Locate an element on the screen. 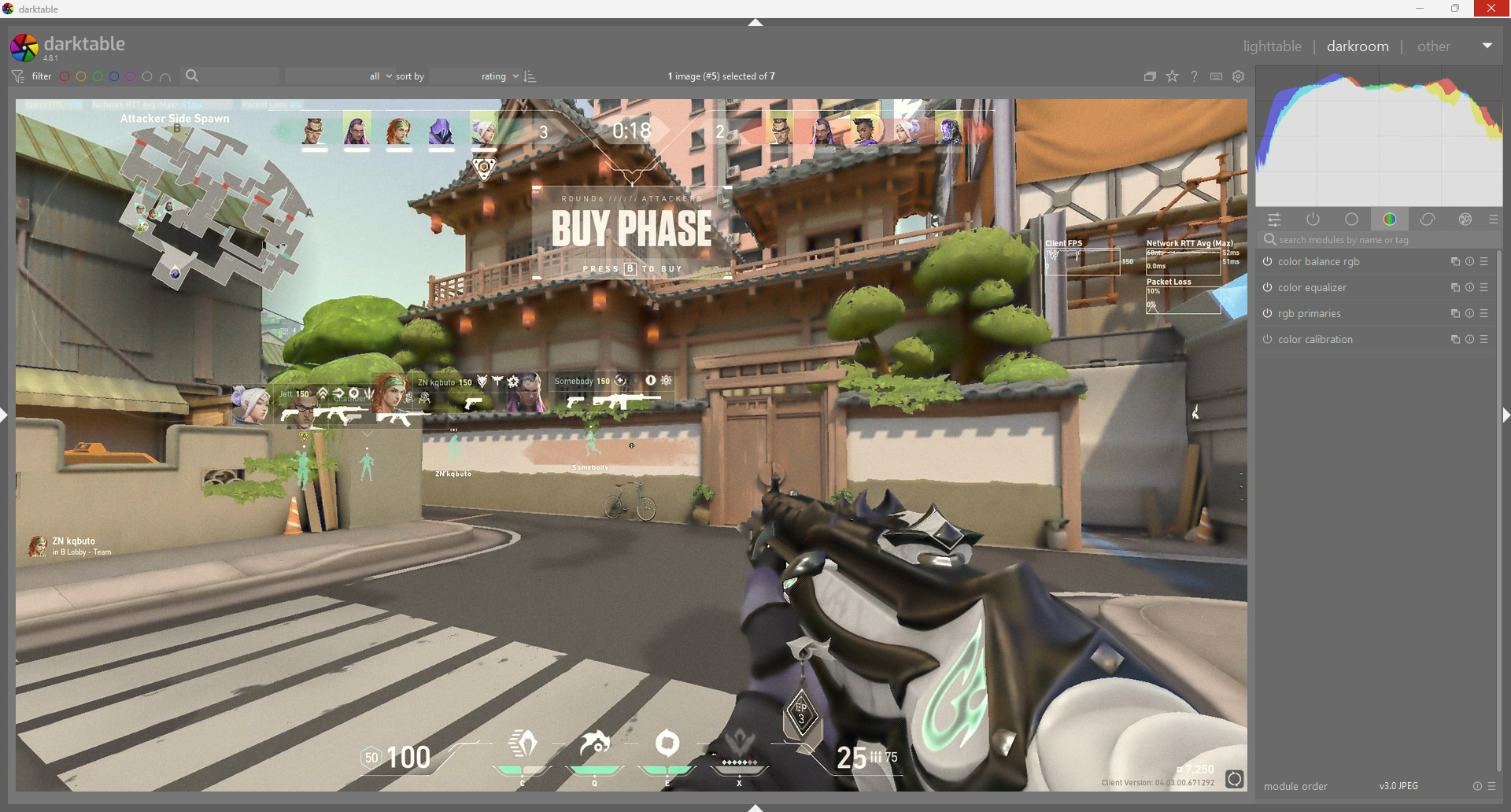  color calibration is located at coordinates (1315, 341).